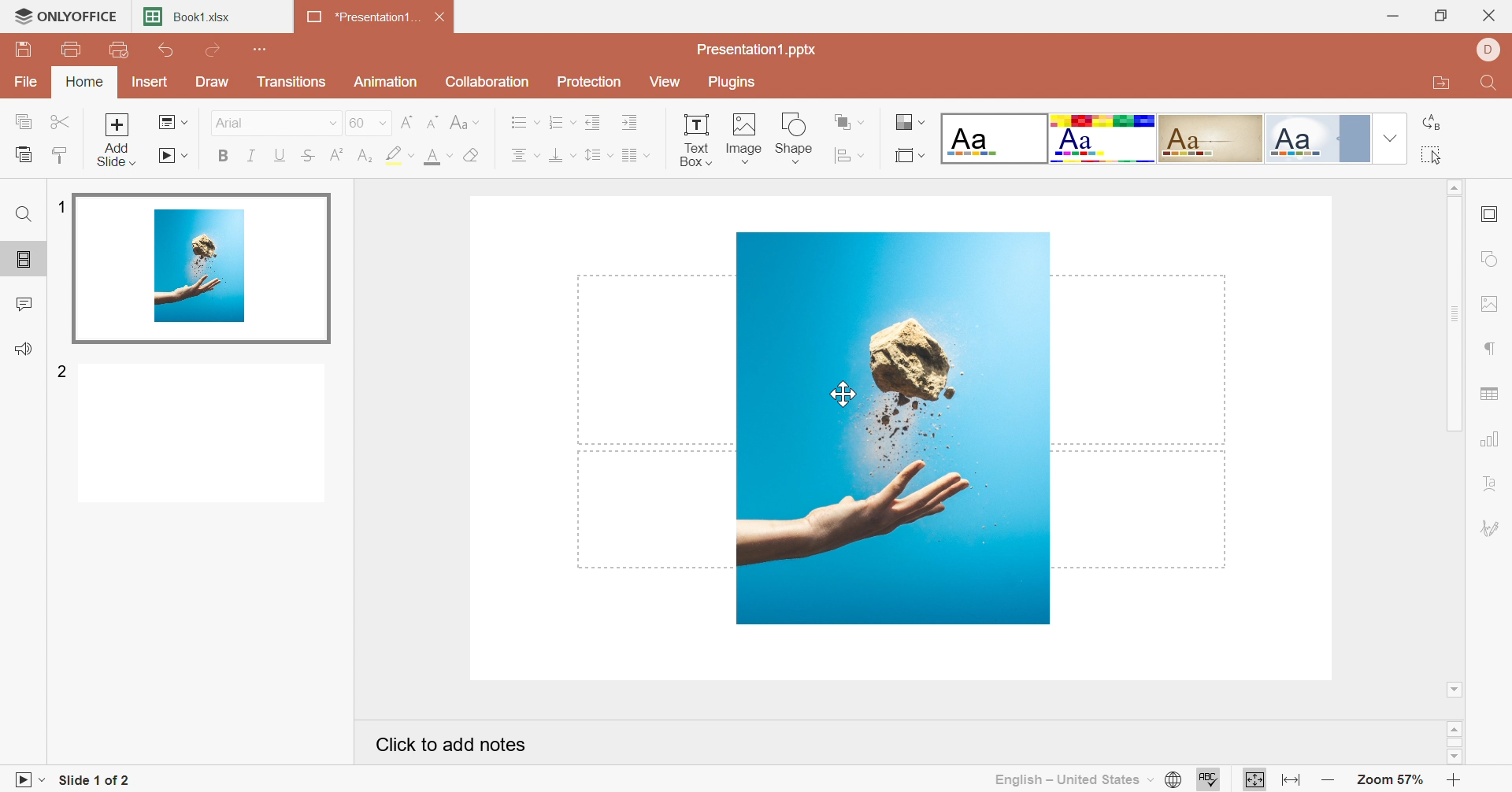 The width and height of the screenshot is (1512, 792). Describe the element at coordinates (368, 121) in the screenshot. I see `60` at that location.